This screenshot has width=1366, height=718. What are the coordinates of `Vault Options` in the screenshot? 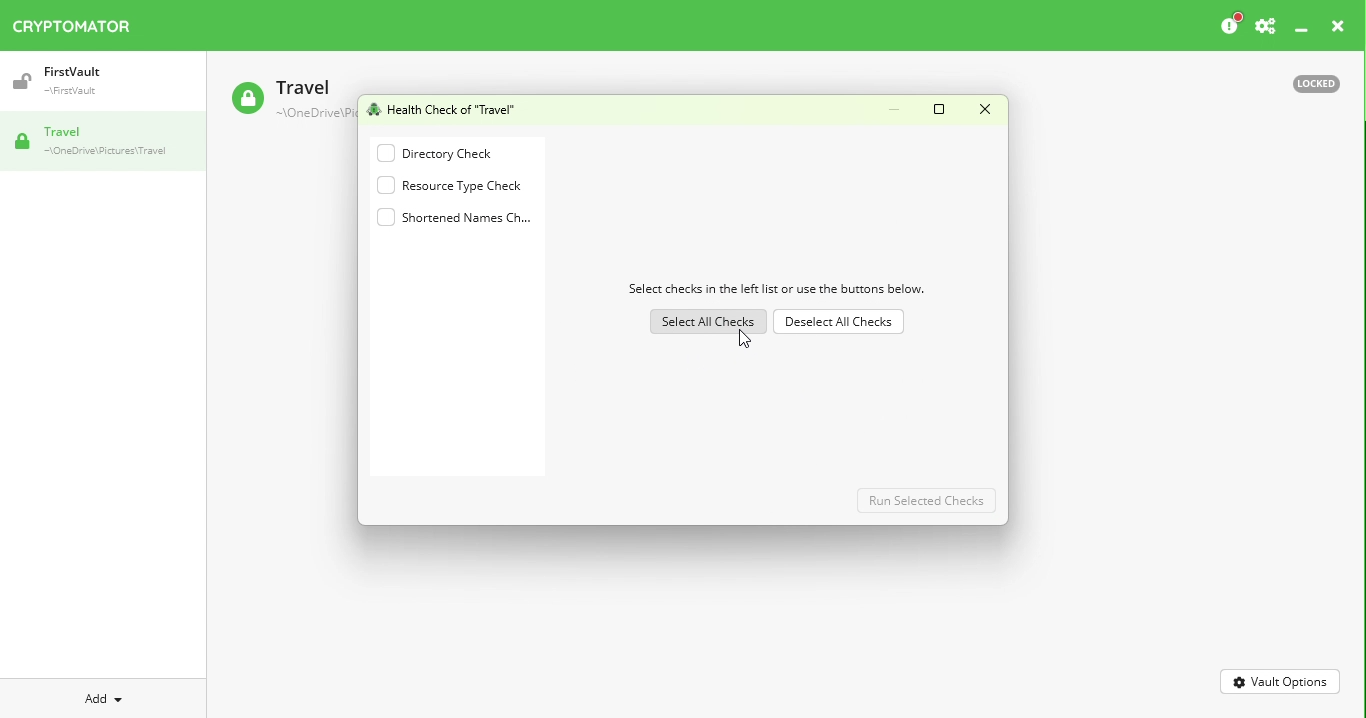 It's located at (1281, 683).